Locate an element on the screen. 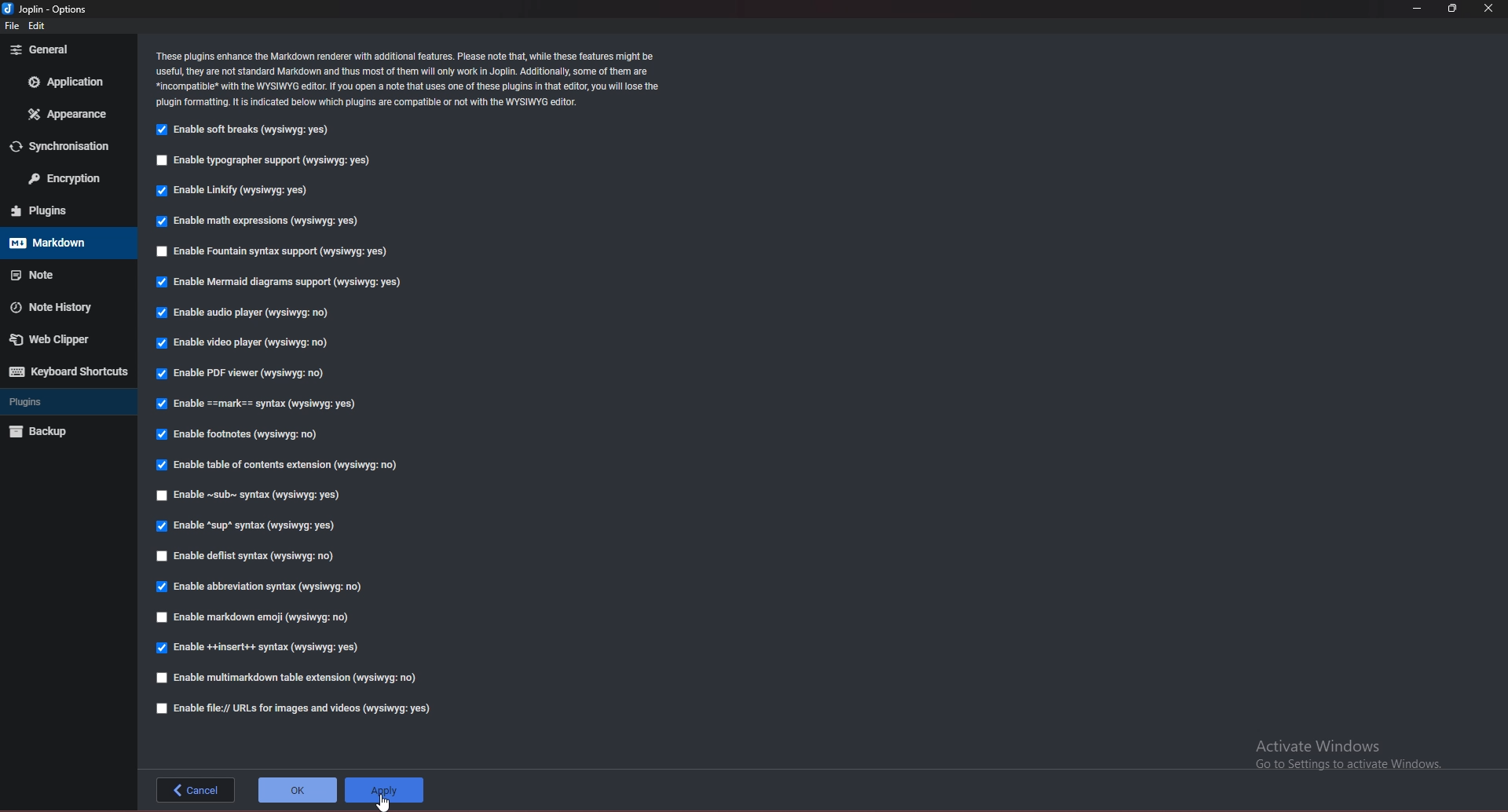 Image resolution: width=1508 pixels, height=812 pixels. ok is located at coordinates (298, 790).